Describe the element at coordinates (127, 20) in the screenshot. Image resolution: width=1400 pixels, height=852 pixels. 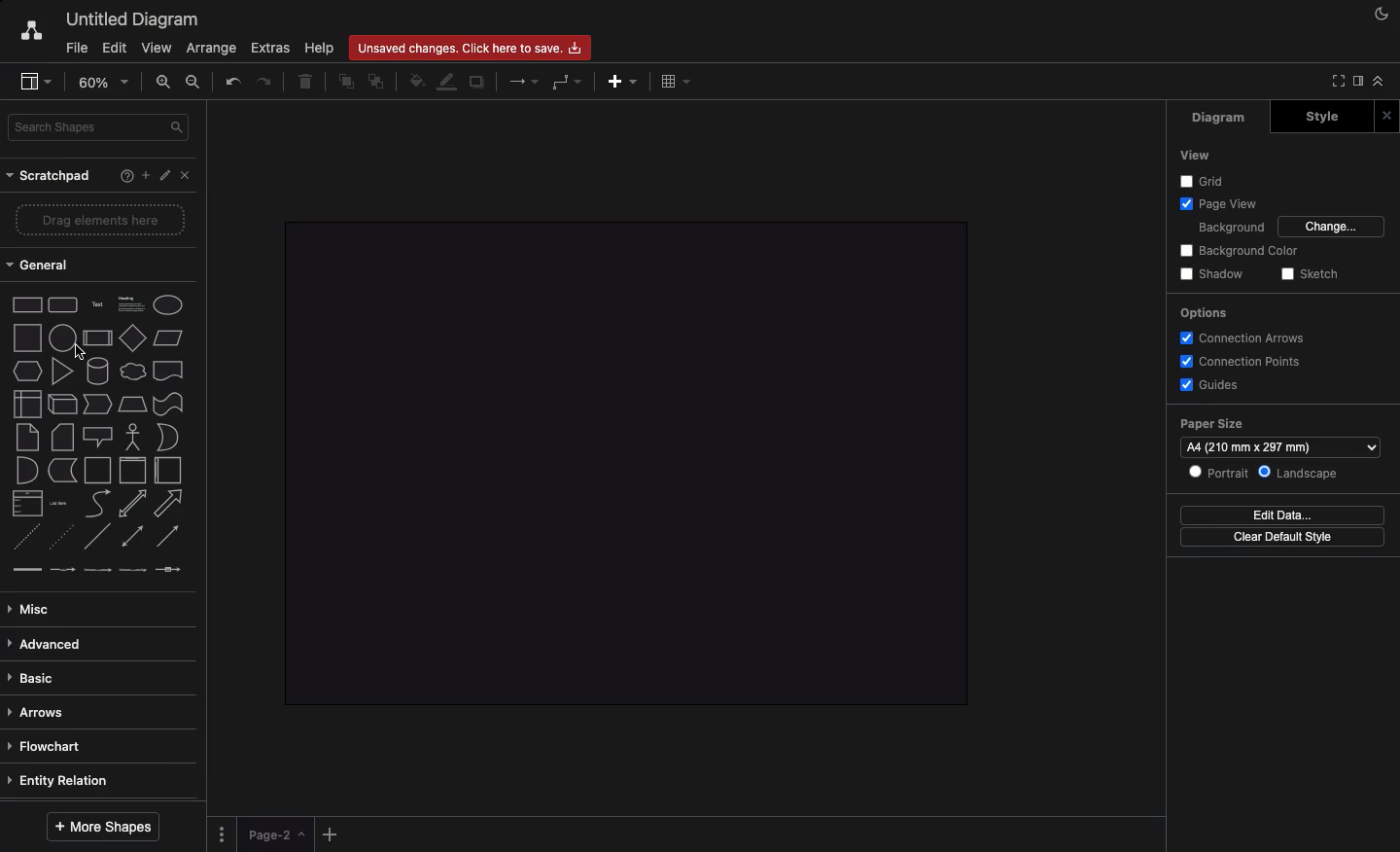
I see `Untitled diagram` at that location.